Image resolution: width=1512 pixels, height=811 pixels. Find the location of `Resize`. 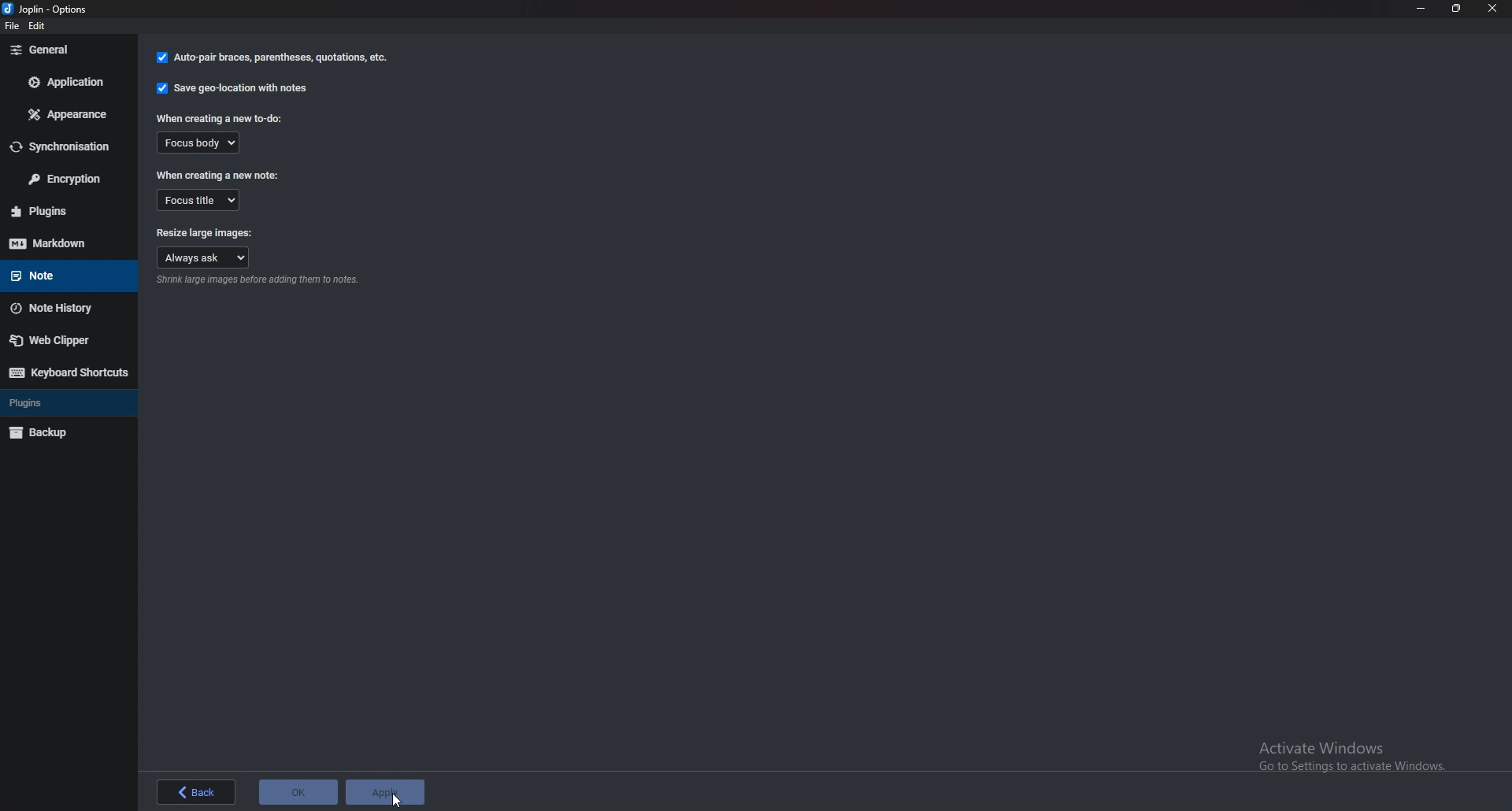

Resize is located at coordinates (1454, 8).